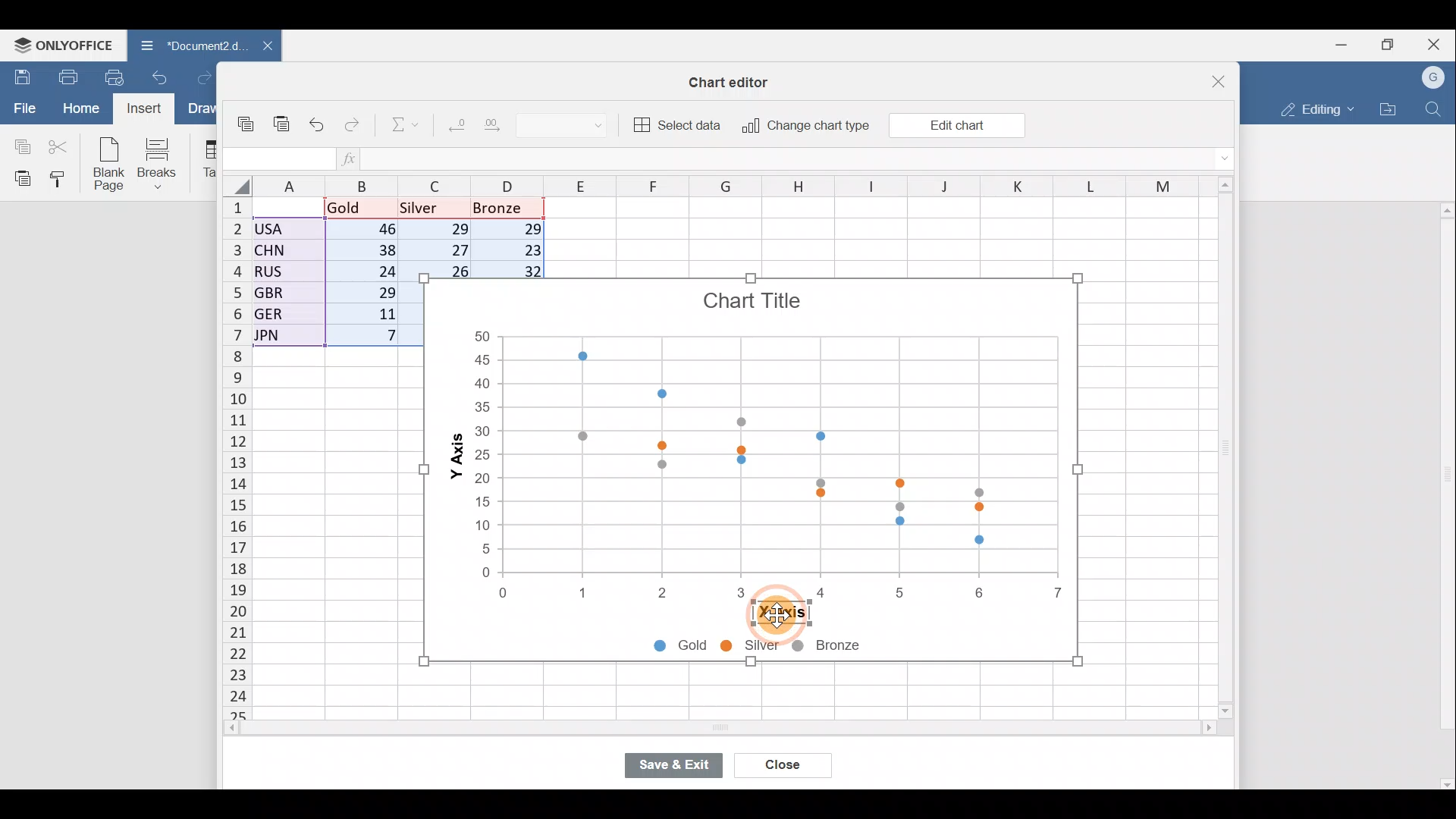 Image resolution: width=1456 pixels, height=819 pixels. What do you see at coordinates (1435, 76) in the screenshot?
I see `Account name` at bounding box center [1435, 76].